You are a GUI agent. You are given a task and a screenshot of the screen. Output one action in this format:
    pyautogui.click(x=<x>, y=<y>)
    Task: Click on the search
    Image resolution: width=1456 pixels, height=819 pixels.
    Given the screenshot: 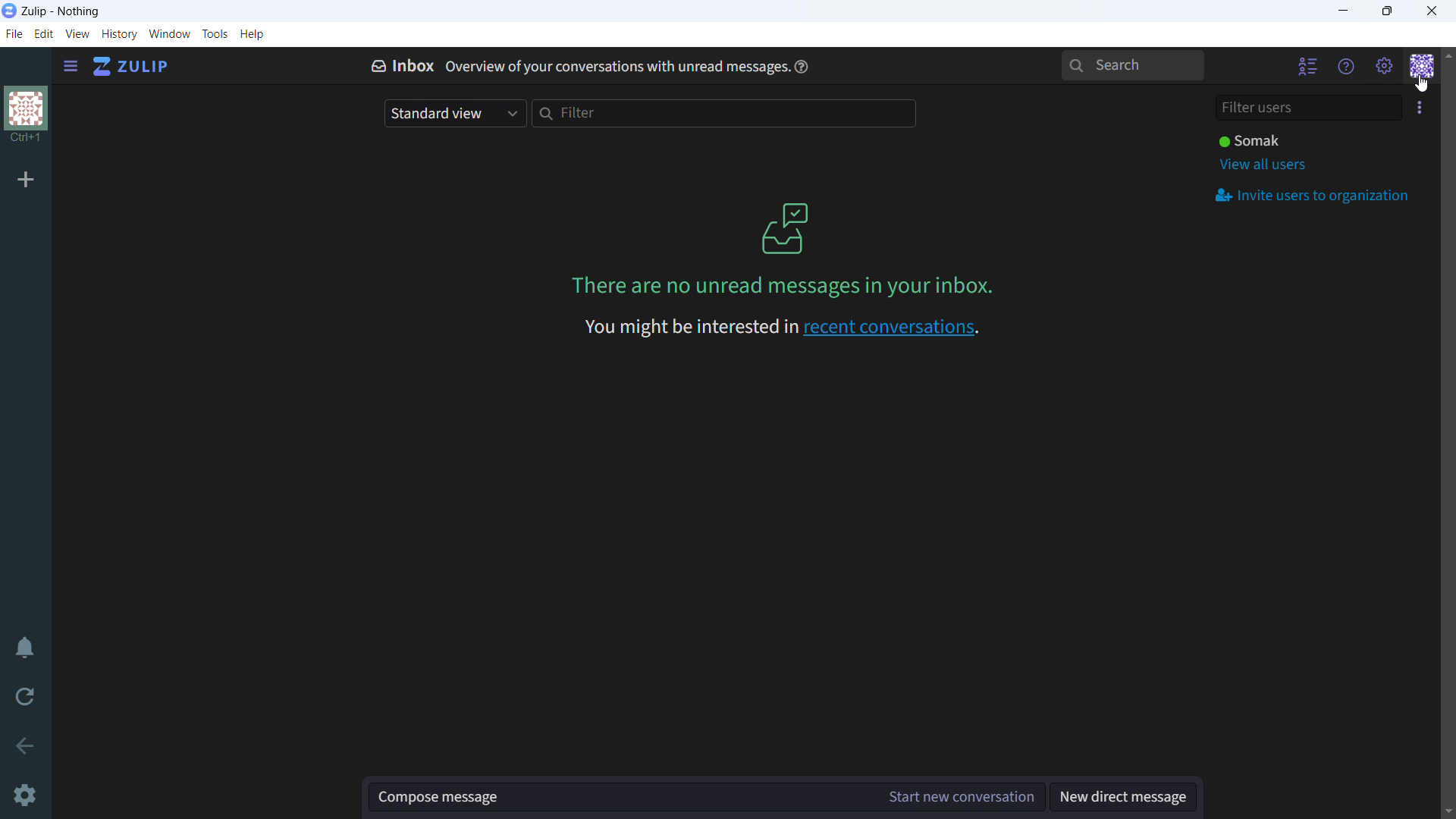 What is the action you would take?
    pyautogui.click(x=1132, y=65)
    